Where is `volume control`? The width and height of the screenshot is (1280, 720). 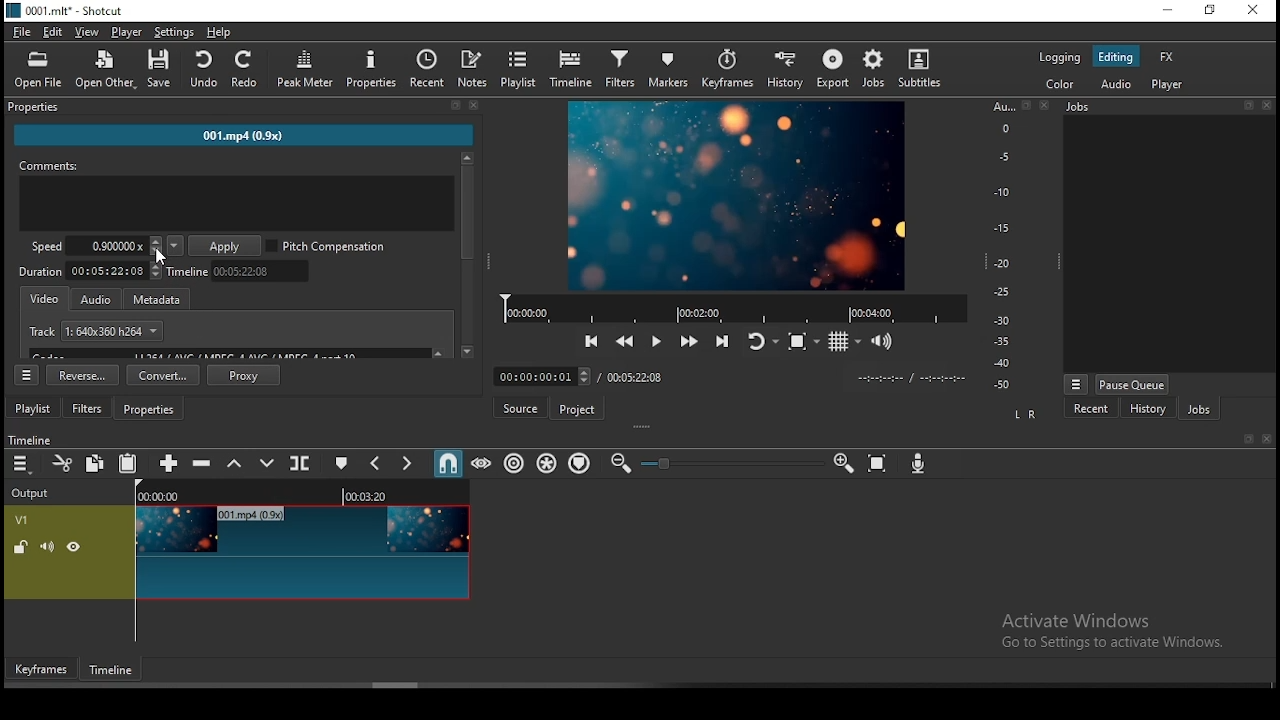 volume control is located at coordinates (883, 341).